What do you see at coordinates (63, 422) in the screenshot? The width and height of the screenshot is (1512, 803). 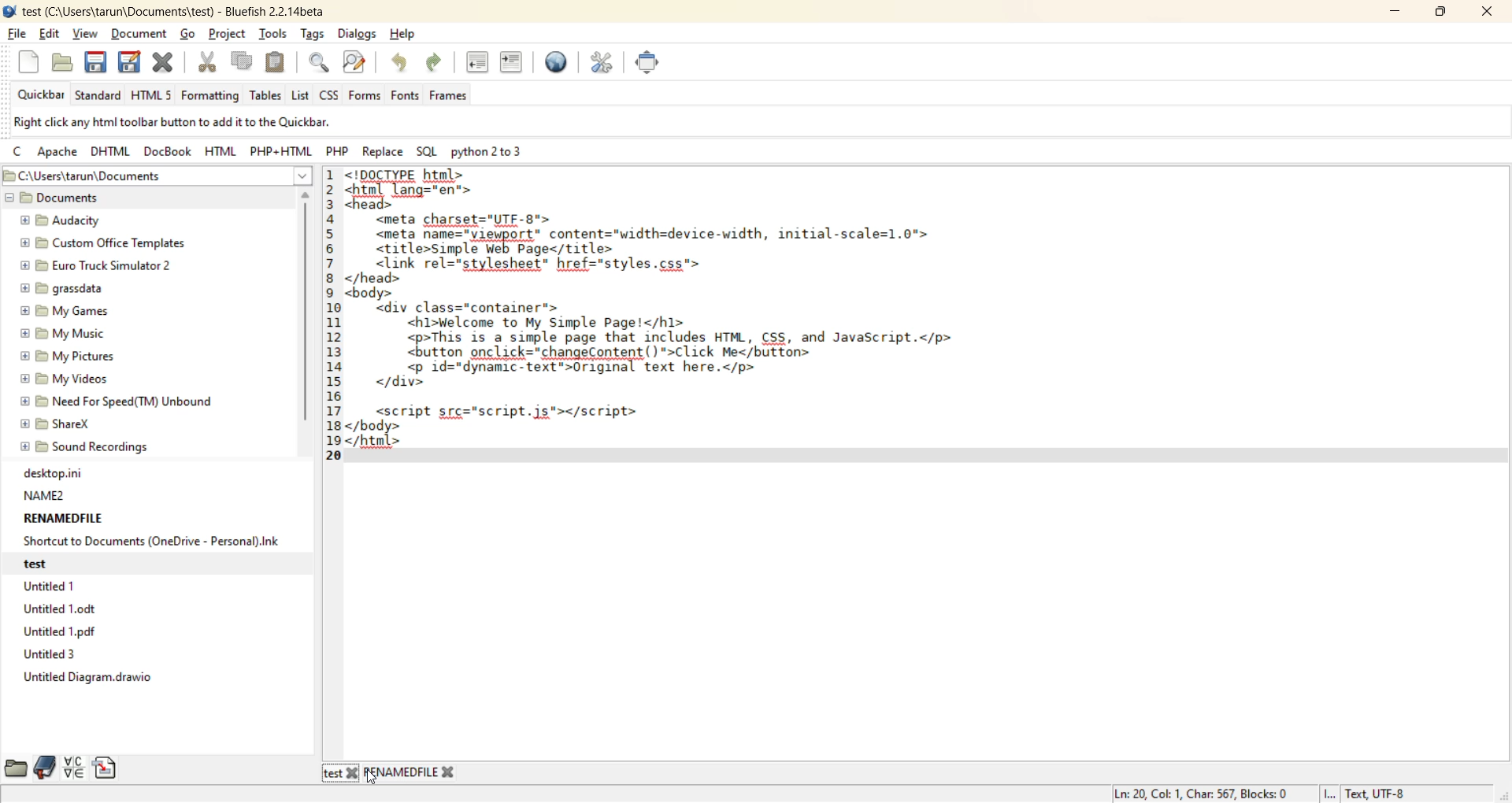 I see `ShareX` at bounding box center [63, 422].